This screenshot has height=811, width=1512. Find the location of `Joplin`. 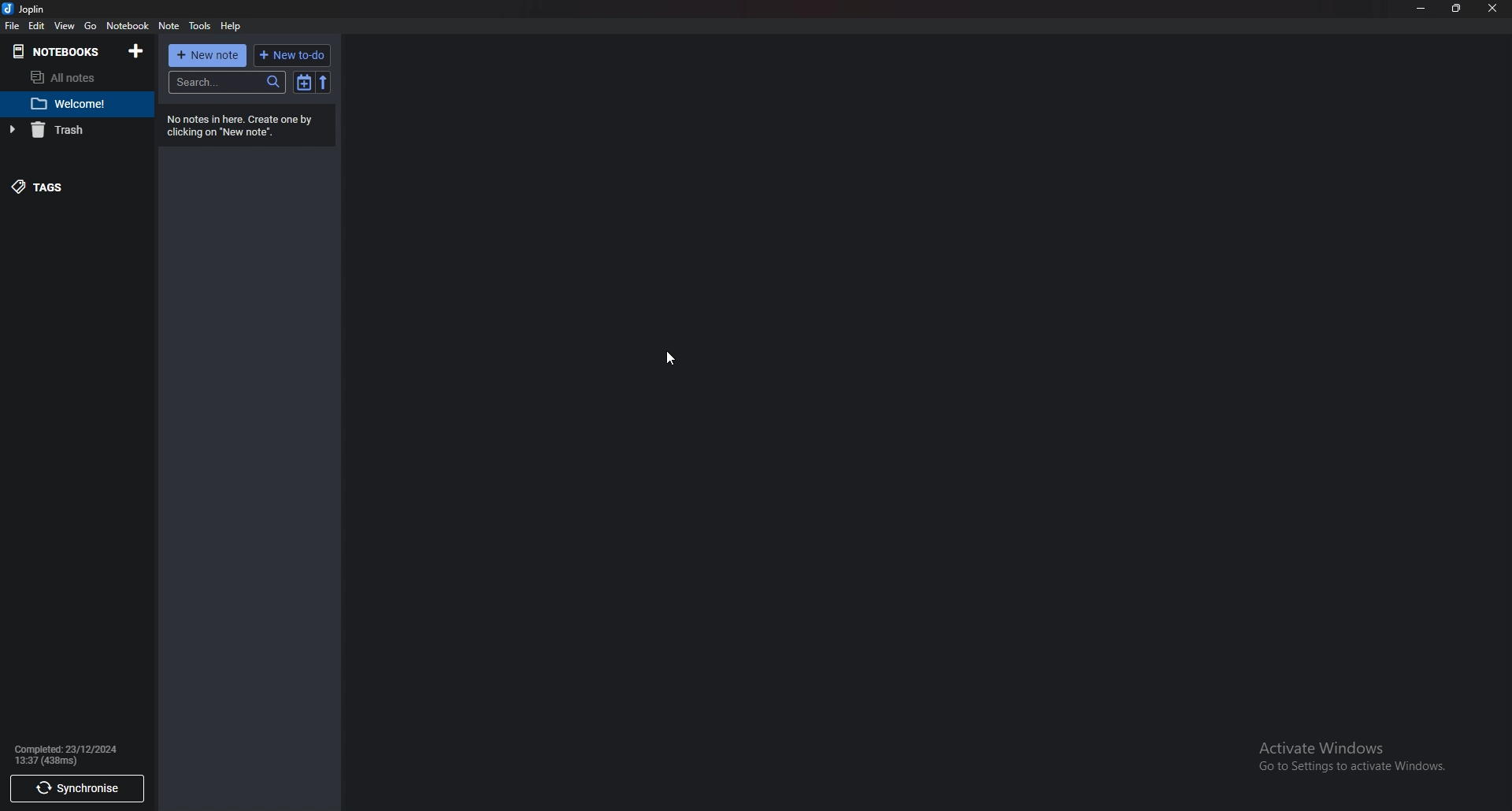

Joplin is located at coordinates (25, 10).